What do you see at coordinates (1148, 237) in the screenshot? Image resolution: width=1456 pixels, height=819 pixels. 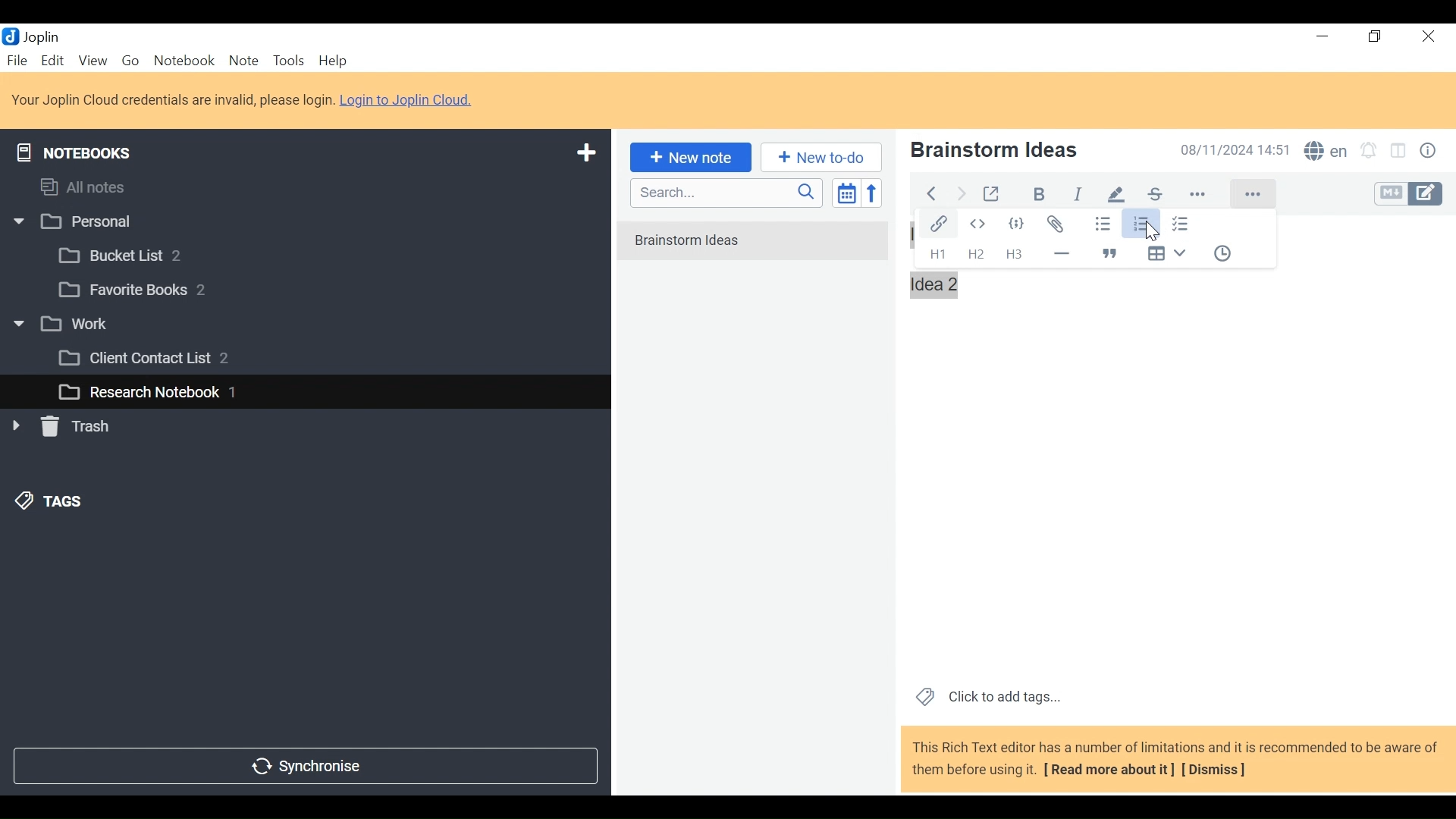 I see `cursor` at bounding box center [1148, 237].